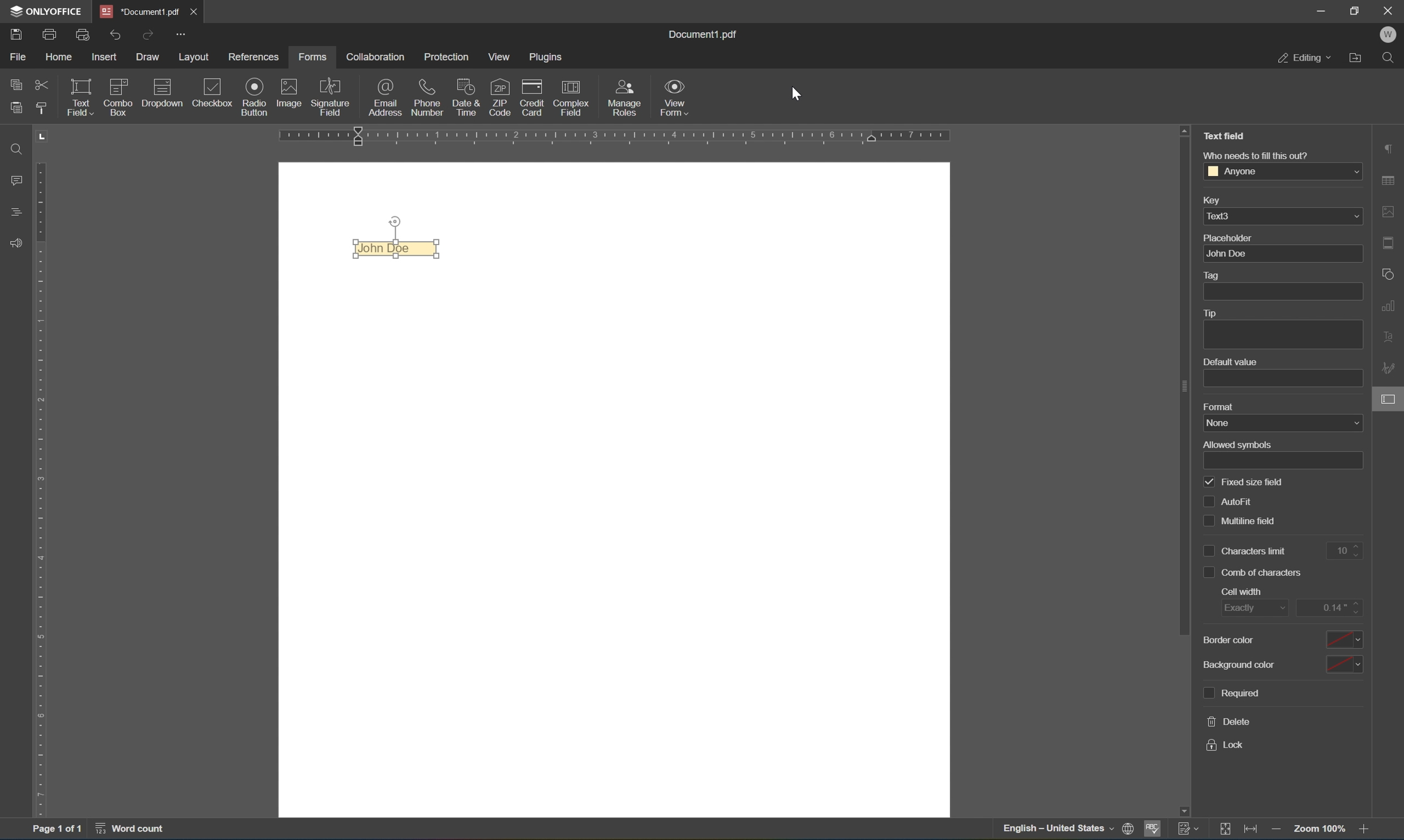 The image size is (1404, 840). Describe the element at coordinates (143, 113) in the screenshot. I see `insert fixed text field` at that location.